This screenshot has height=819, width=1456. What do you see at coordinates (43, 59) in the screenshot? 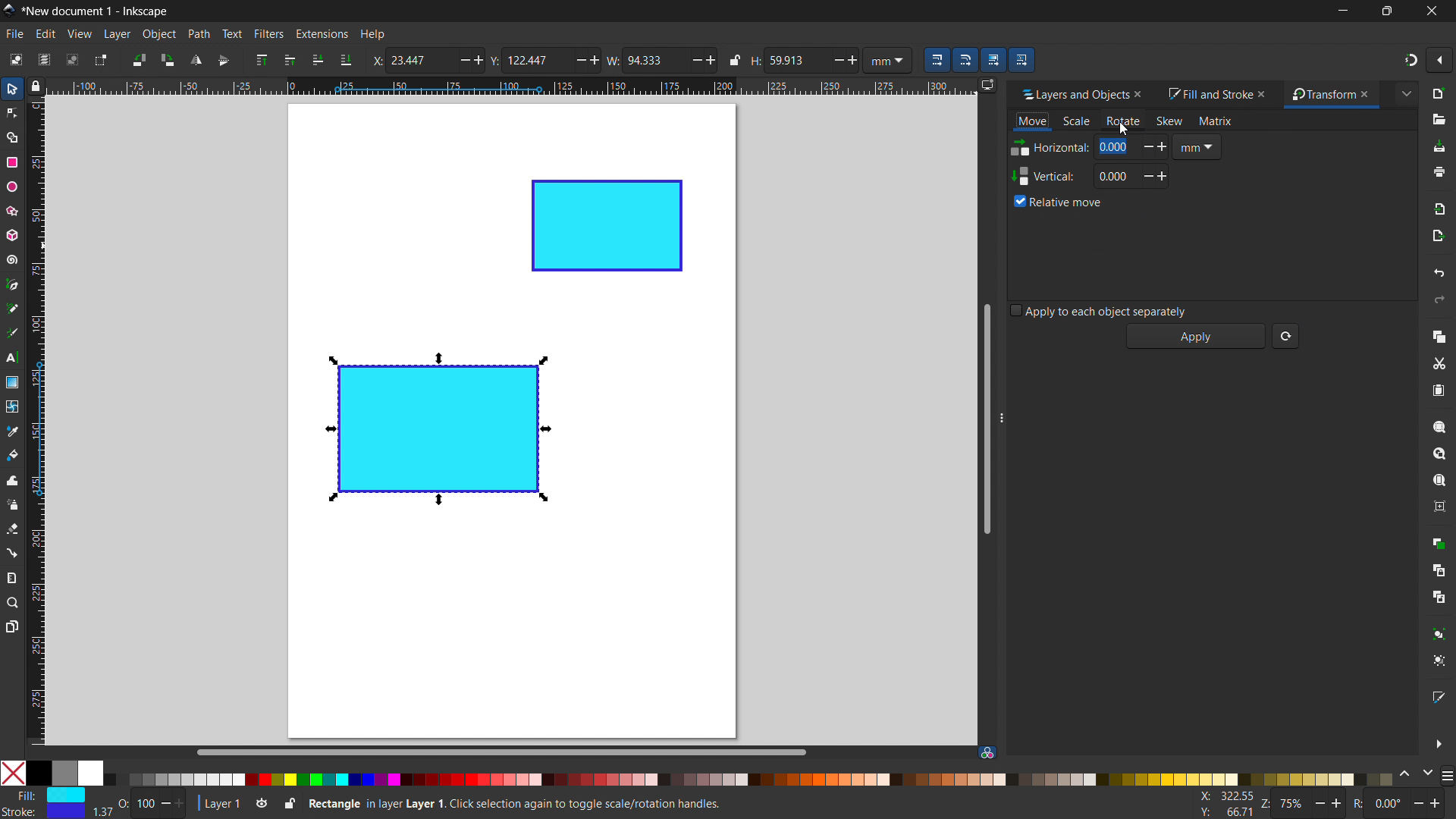
I see `select all in all layers` at bounding box center [43, 59].